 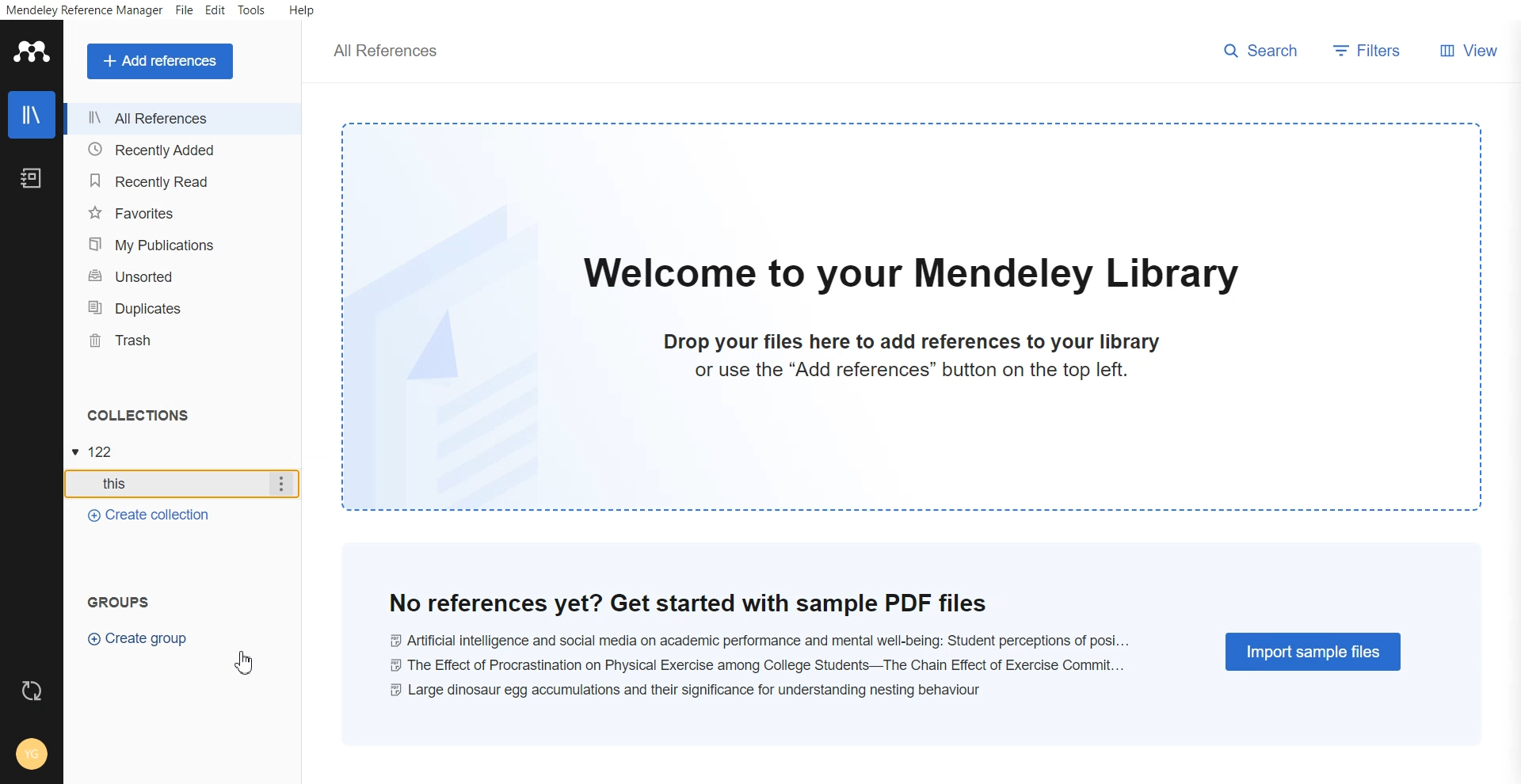 What do you see at coordinates (75, 452) in the screenshot?
I see `Dropdown box` at bounding box center [75, 452].